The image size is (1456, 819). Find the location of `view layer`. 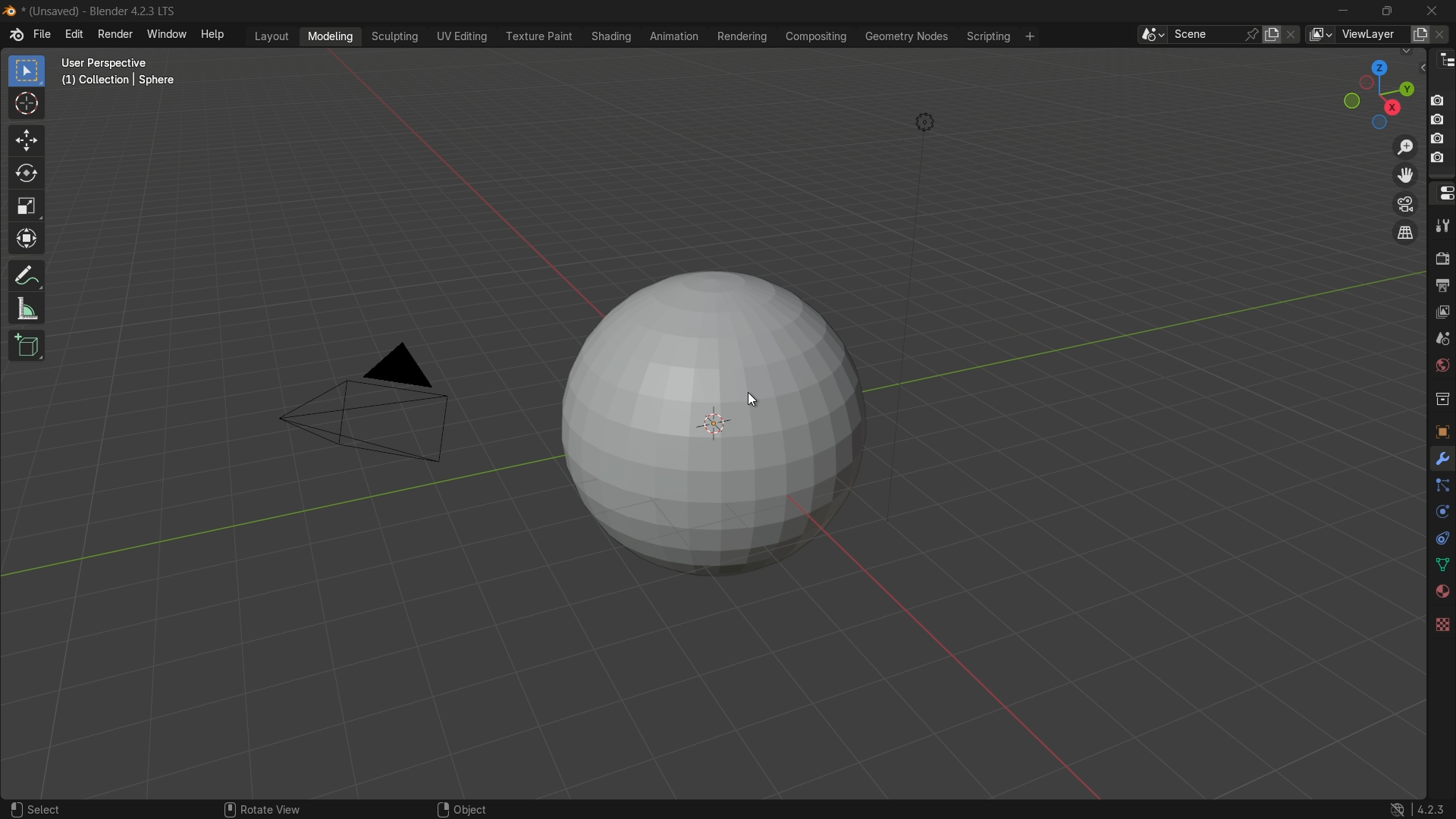

view layer is located at coordinates (1441, 313).